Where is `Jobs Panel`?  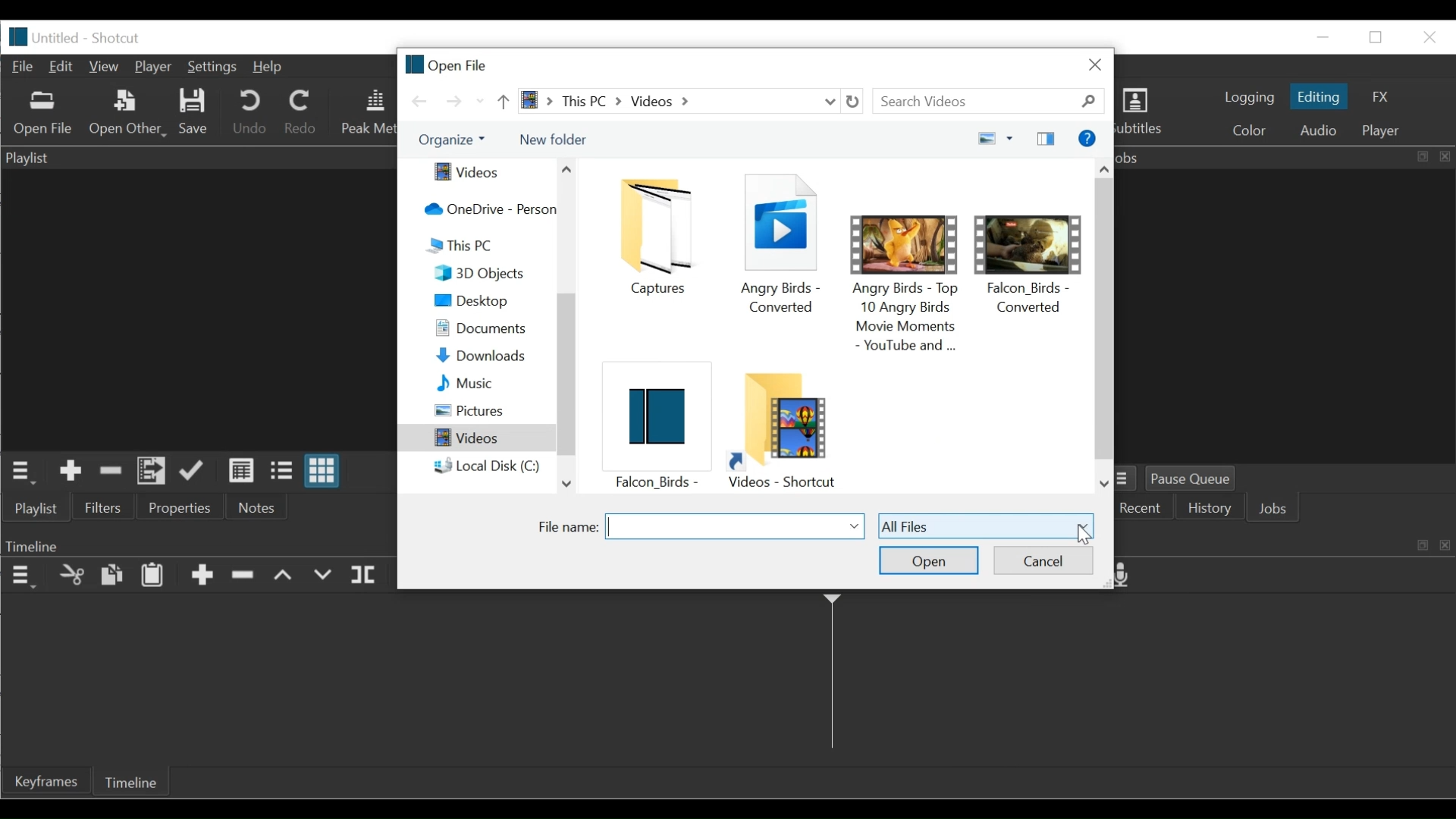 Jobs Panel is located at coordinates (1285, 157).